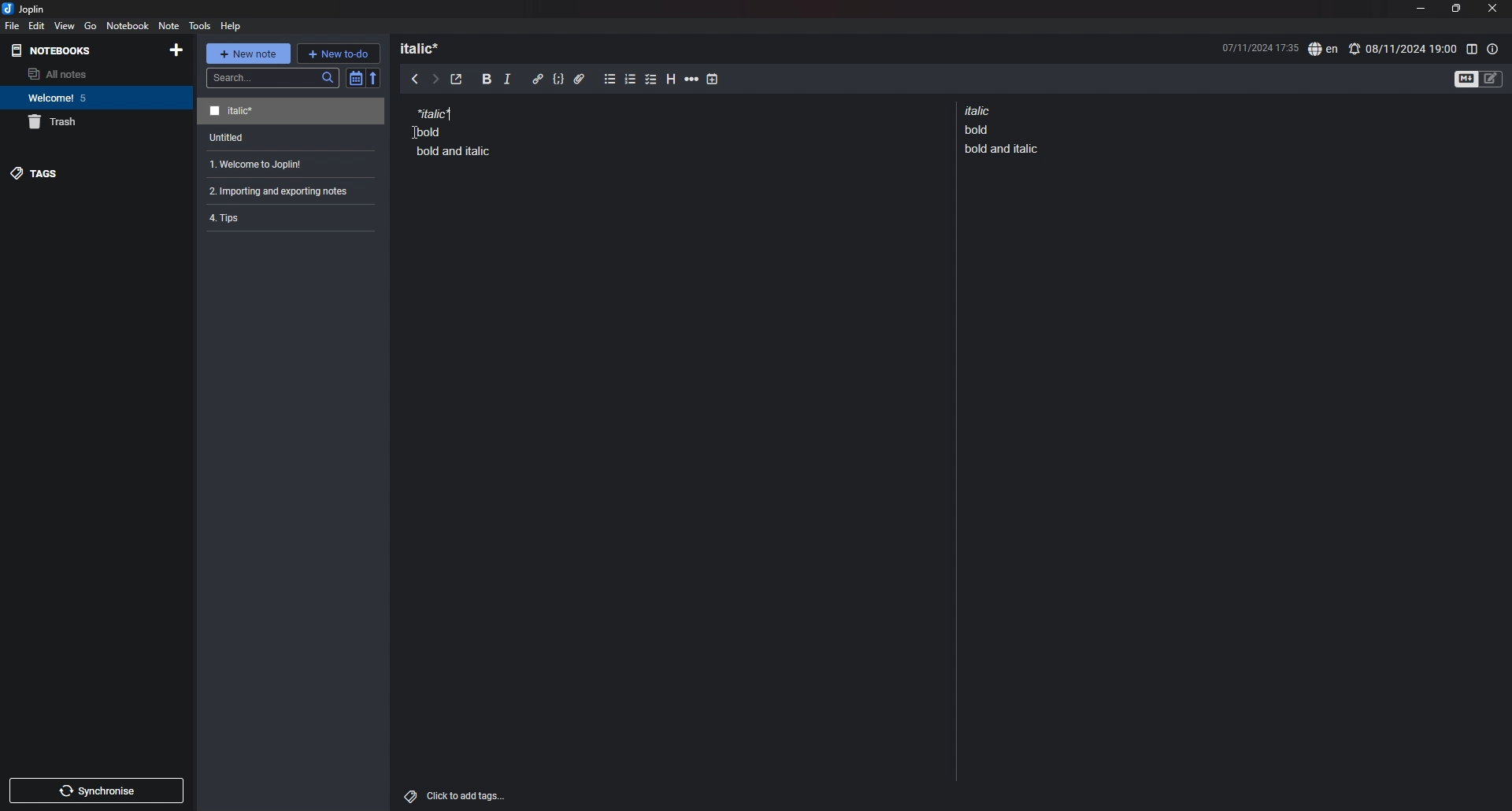  What do you see at coordinates (487, 80) in the screenshot?
I see `bold` at bounding box center [487, 80].